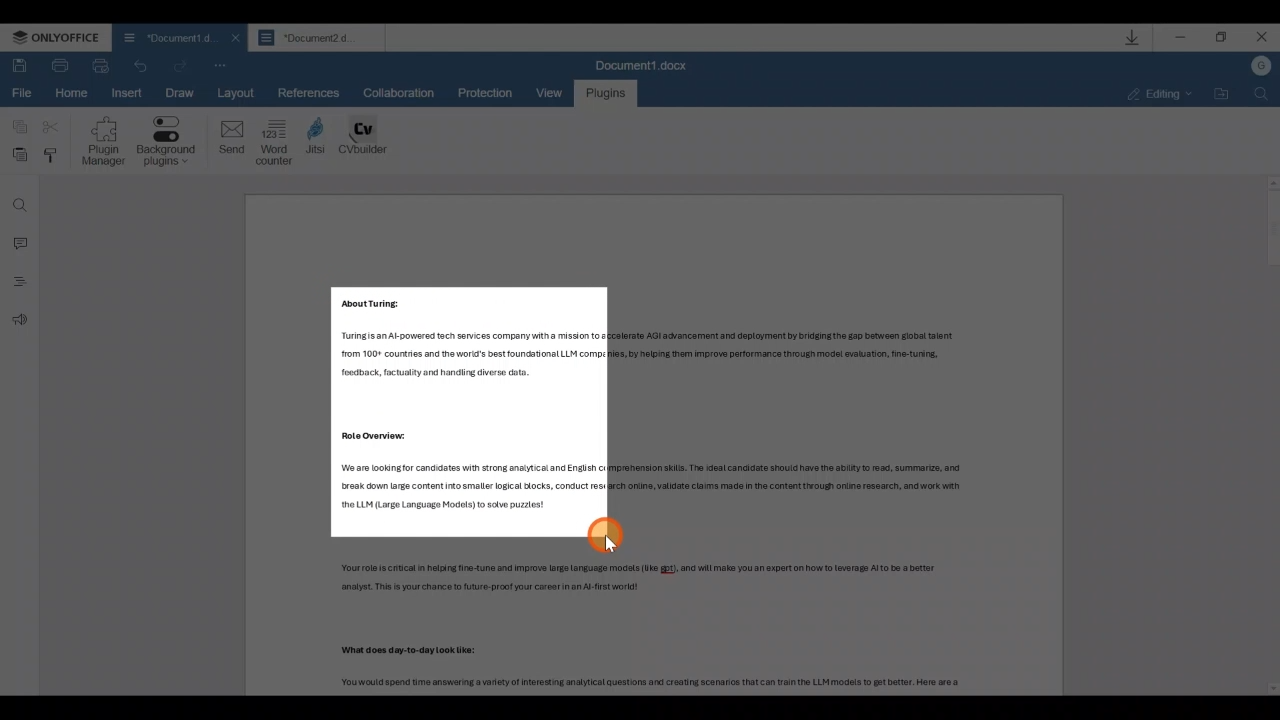  Describe the element at coordinates (16, 128) in the screenshot. I see `Copy` at that location.